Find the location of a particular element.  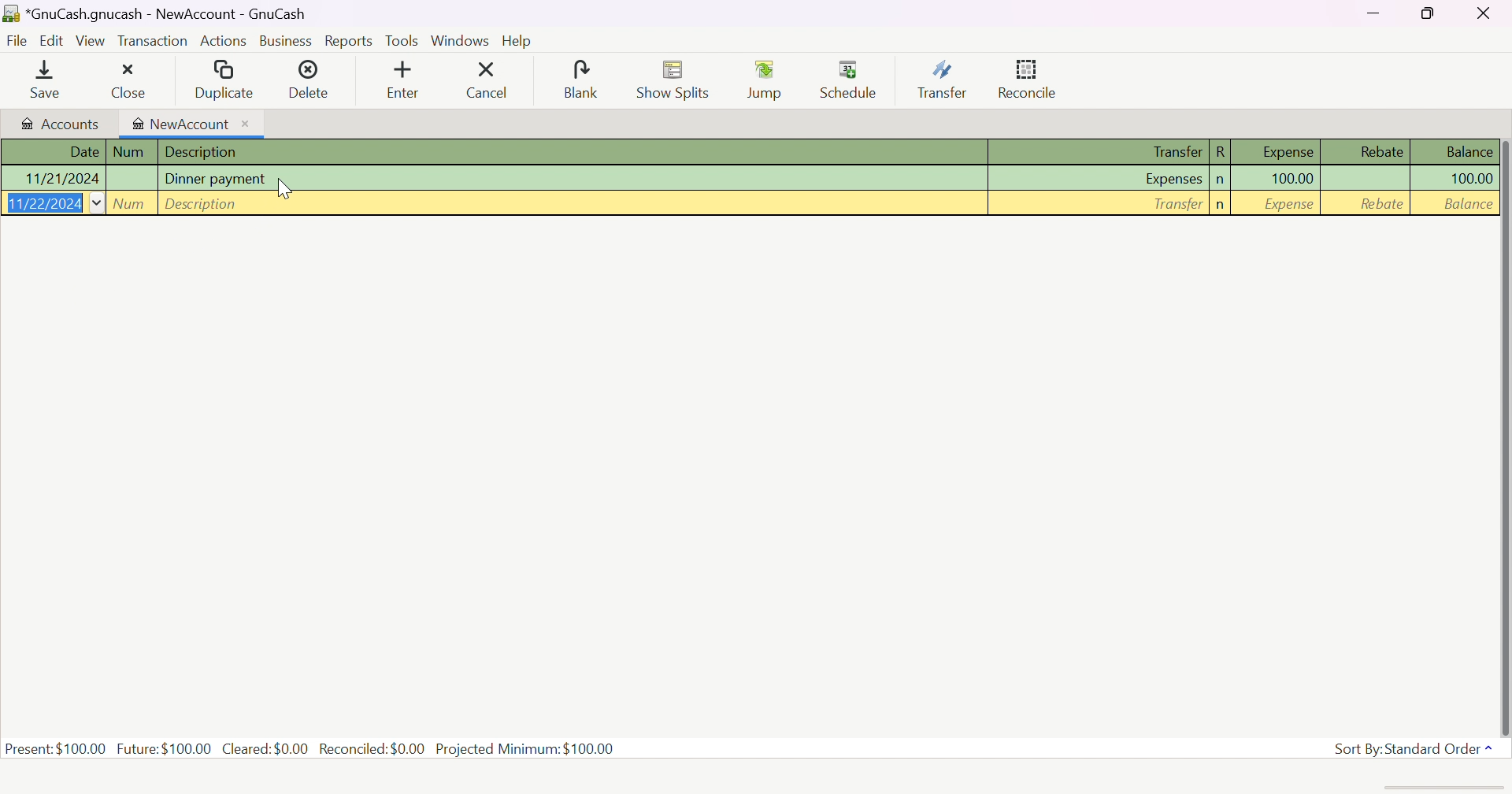

Close is located at coordinates (127, 83).